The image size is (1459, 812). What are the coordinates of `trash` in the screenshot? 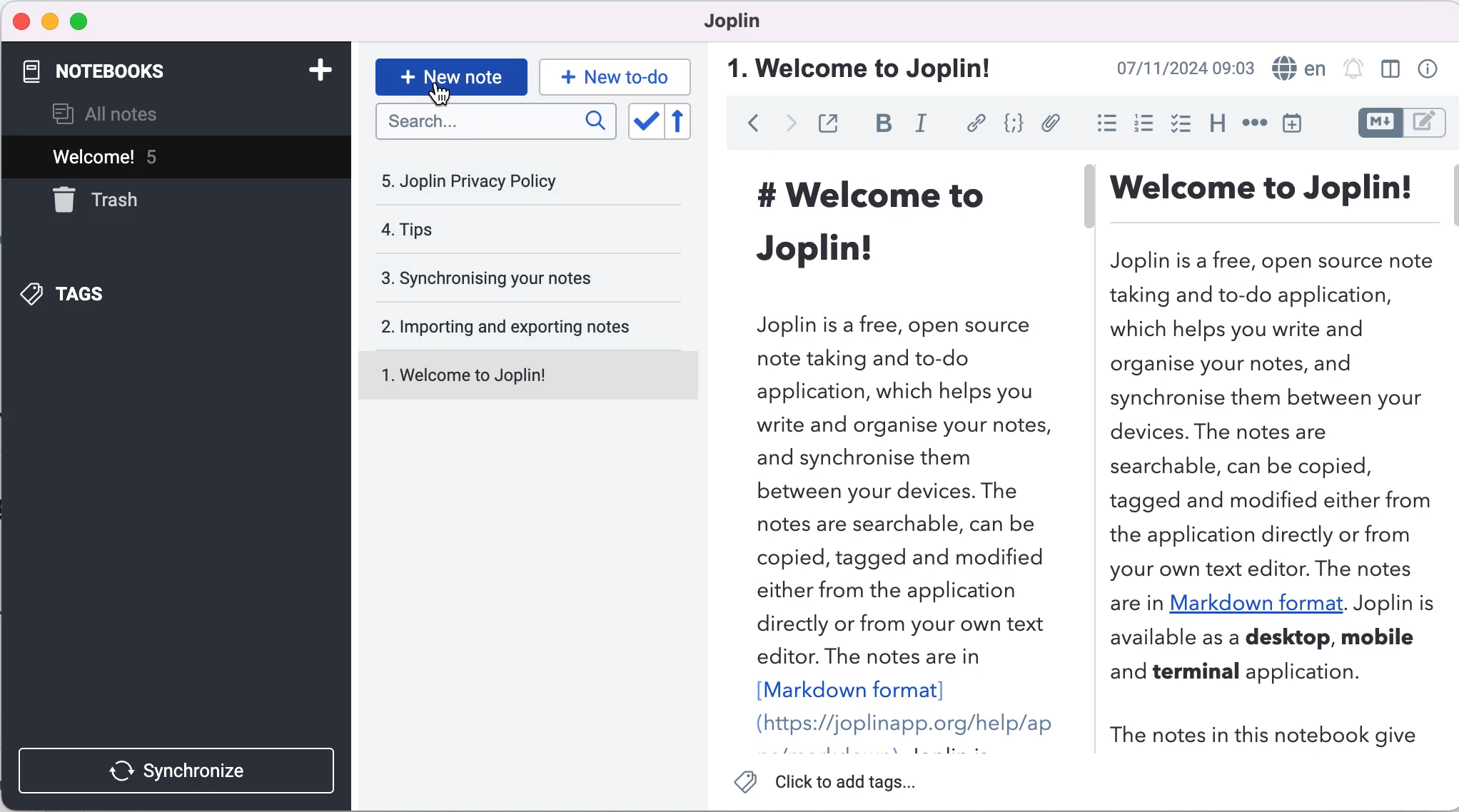 It's located at (111, 206).